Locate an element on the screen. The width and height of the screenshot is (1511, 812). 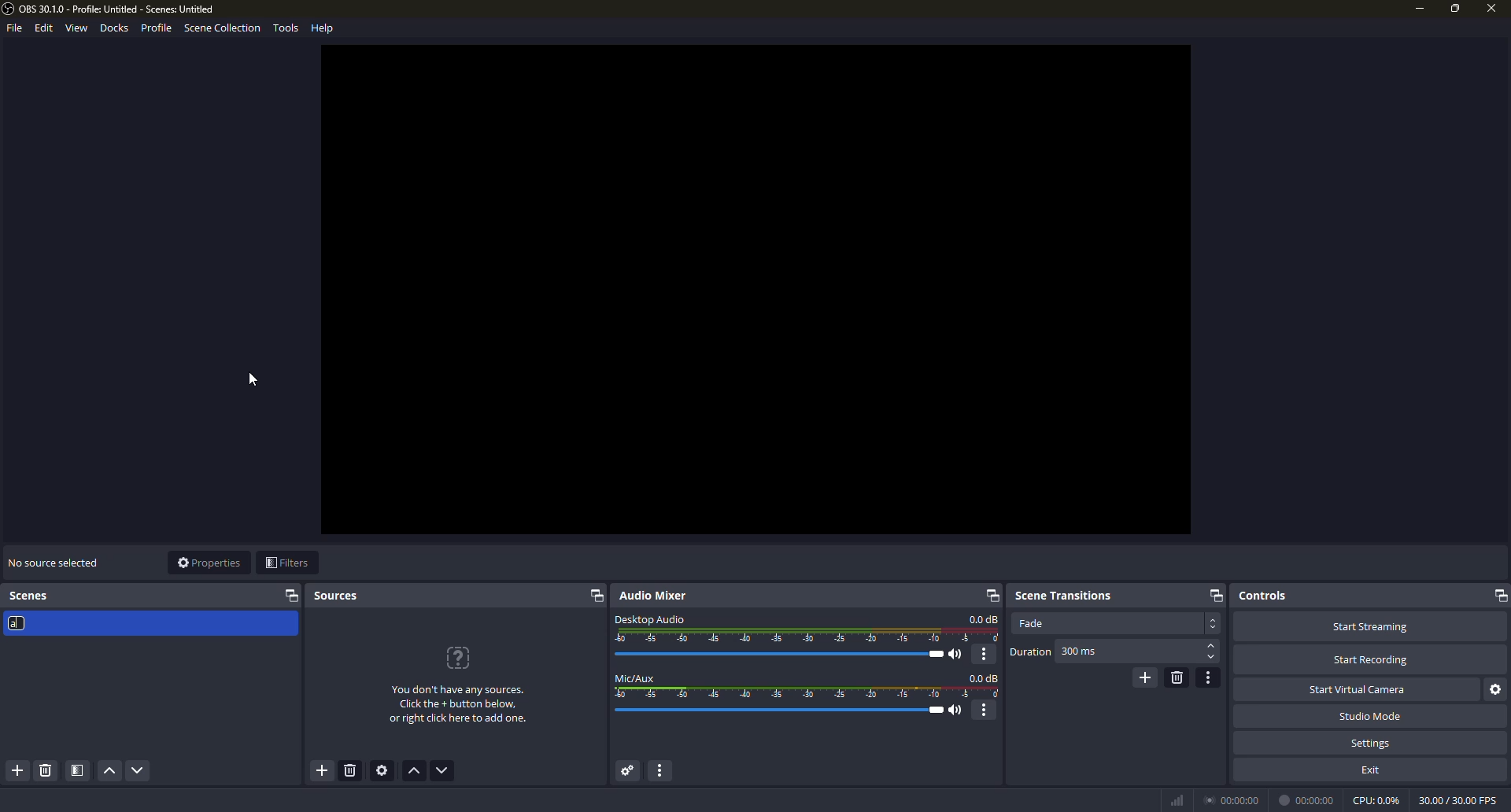
db is located at coordinates (984, 619).